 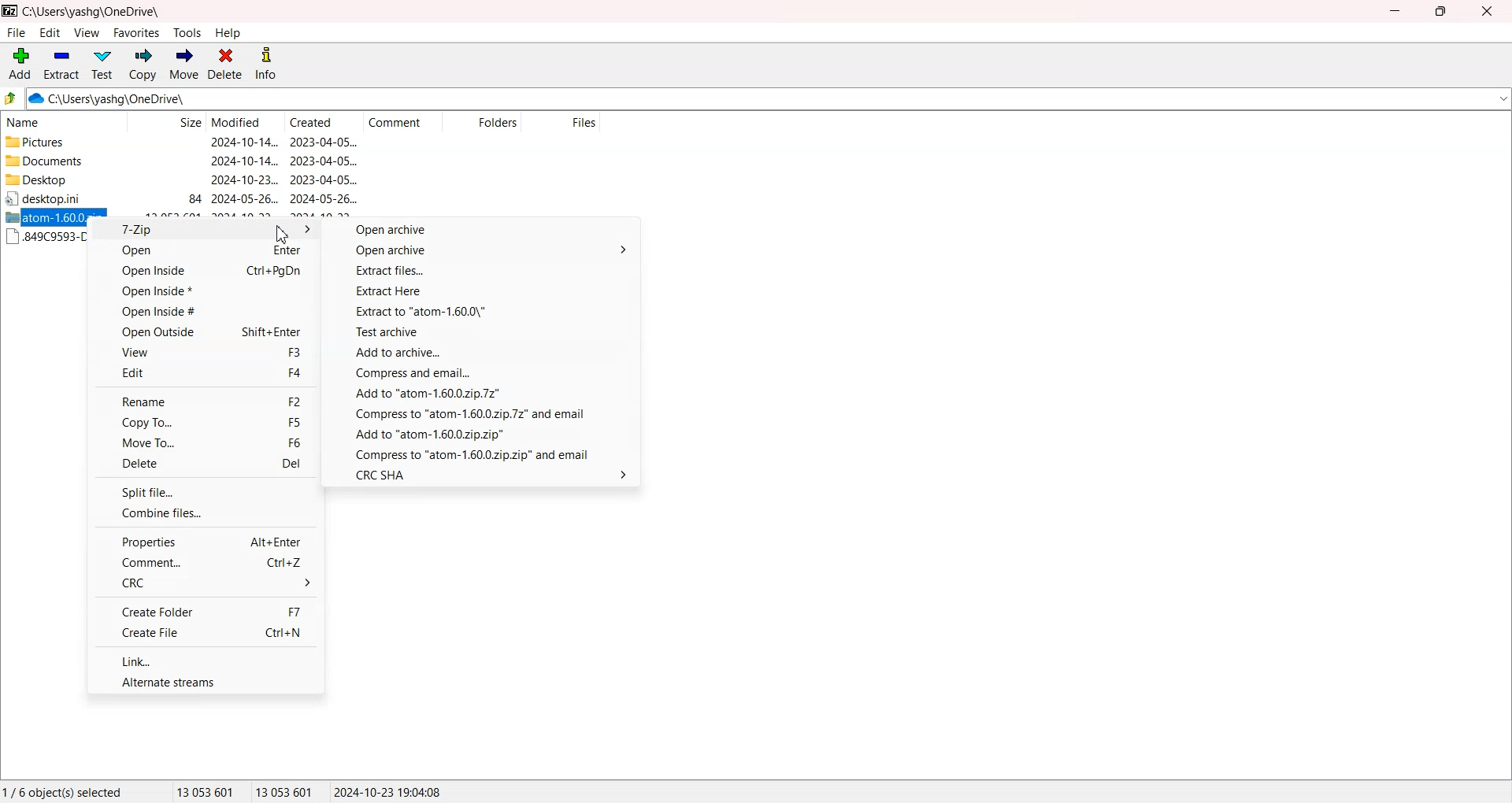 What do you see at coordinates (324, 179) in the screenshot?
I see `2023-04-05` at bounding box center [324, 179].